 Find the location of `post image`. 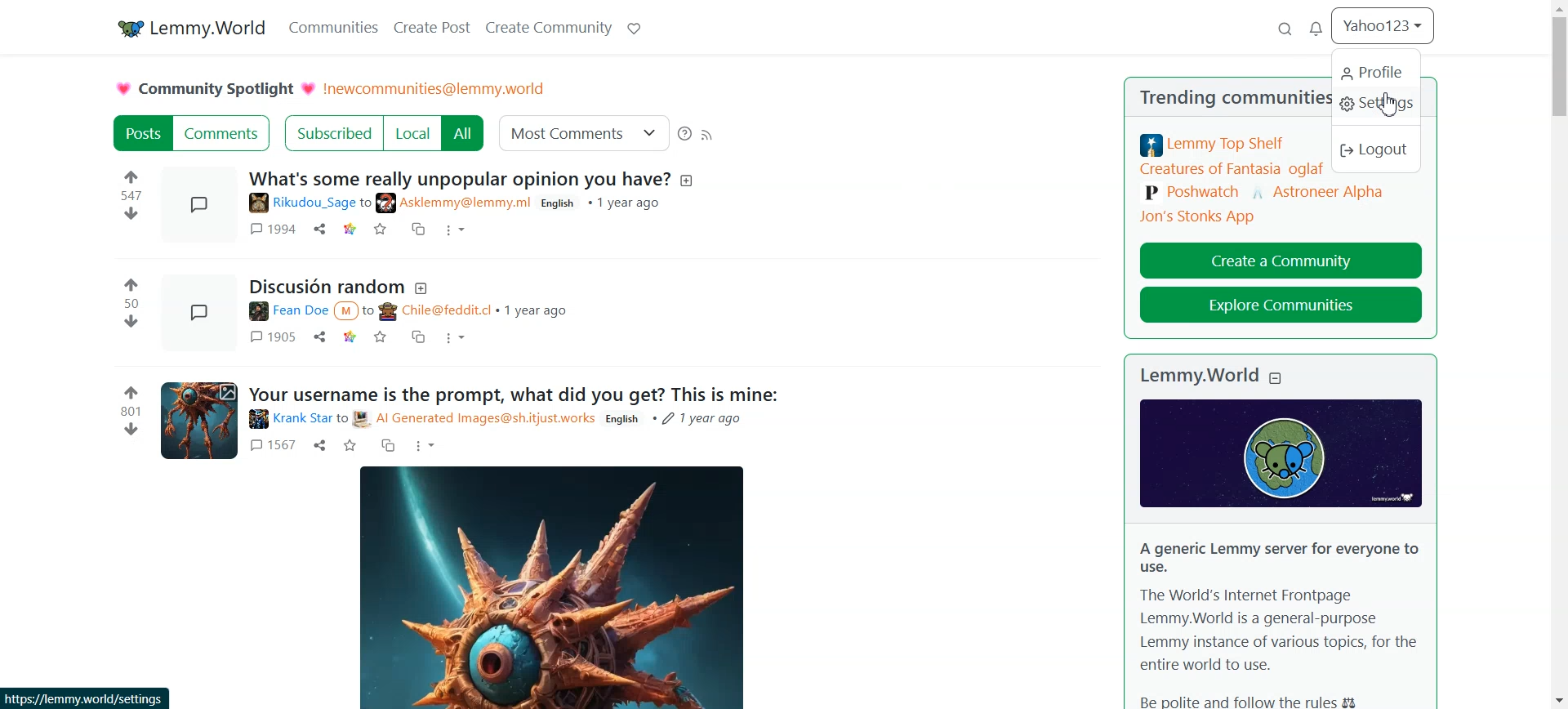

post image is located at coordinates (550, 585).